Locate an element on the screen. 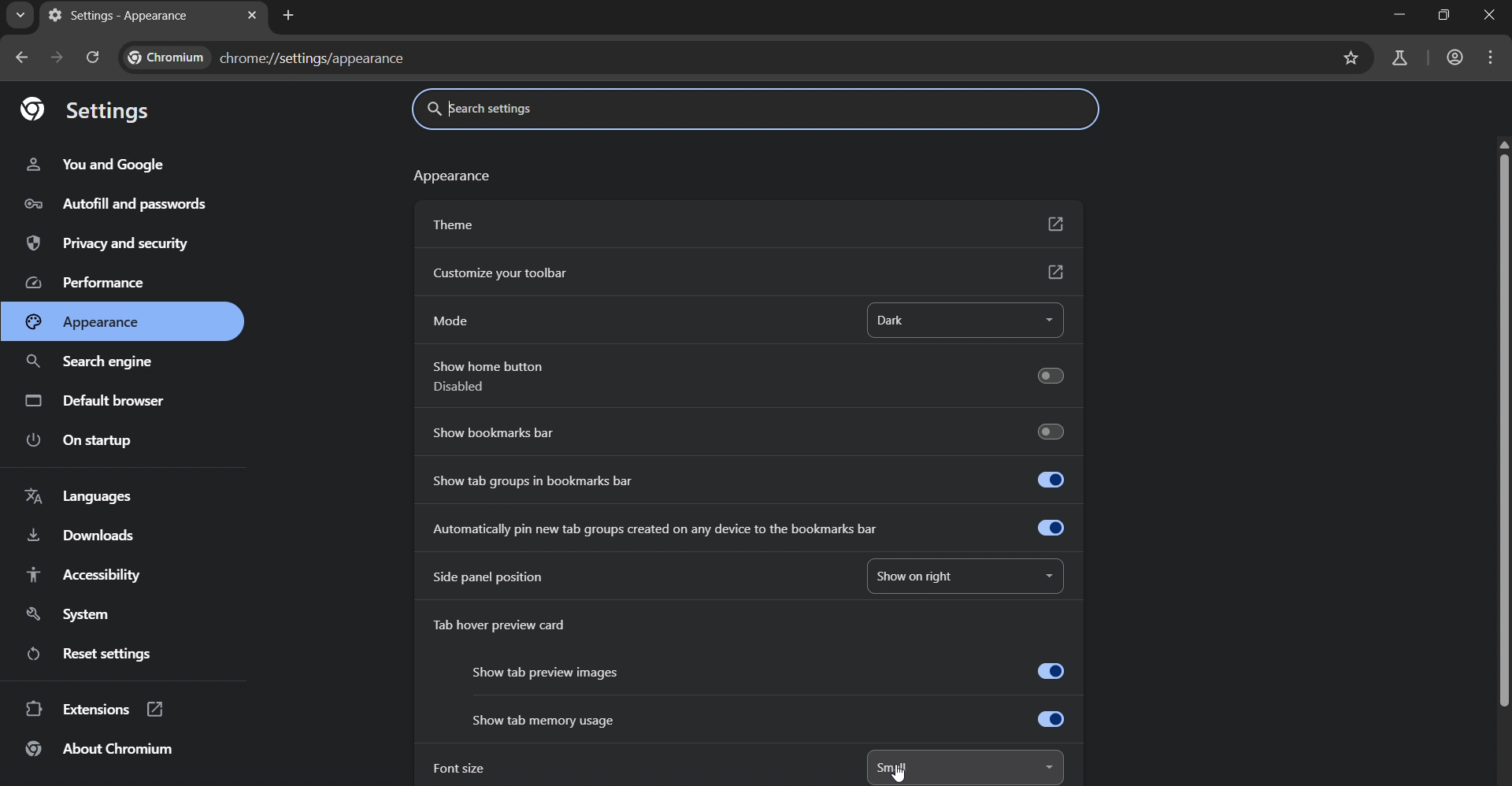  text is located at coordinates (269, 56).